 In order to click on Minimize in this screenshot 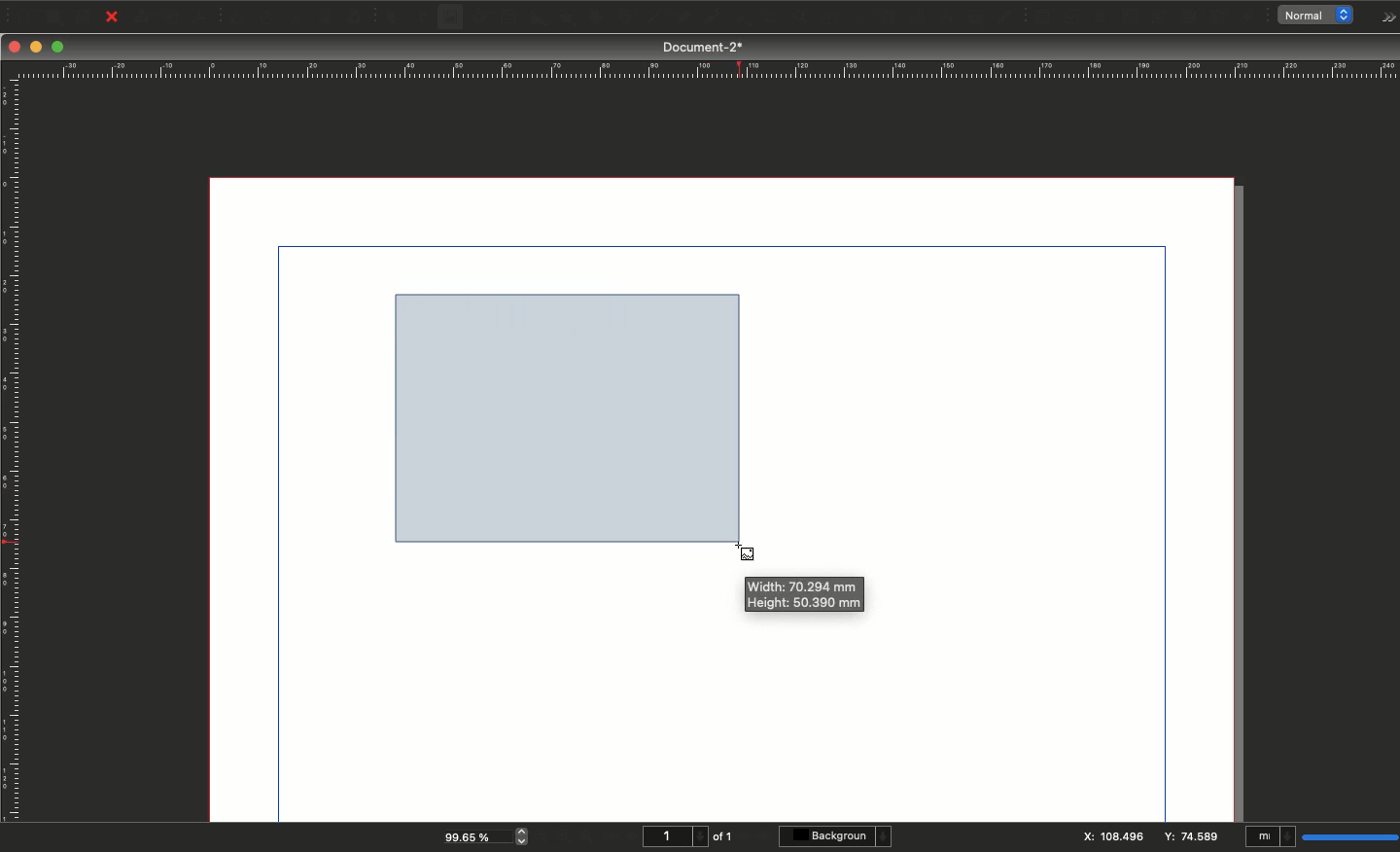, I will do `click(38, 48)`.